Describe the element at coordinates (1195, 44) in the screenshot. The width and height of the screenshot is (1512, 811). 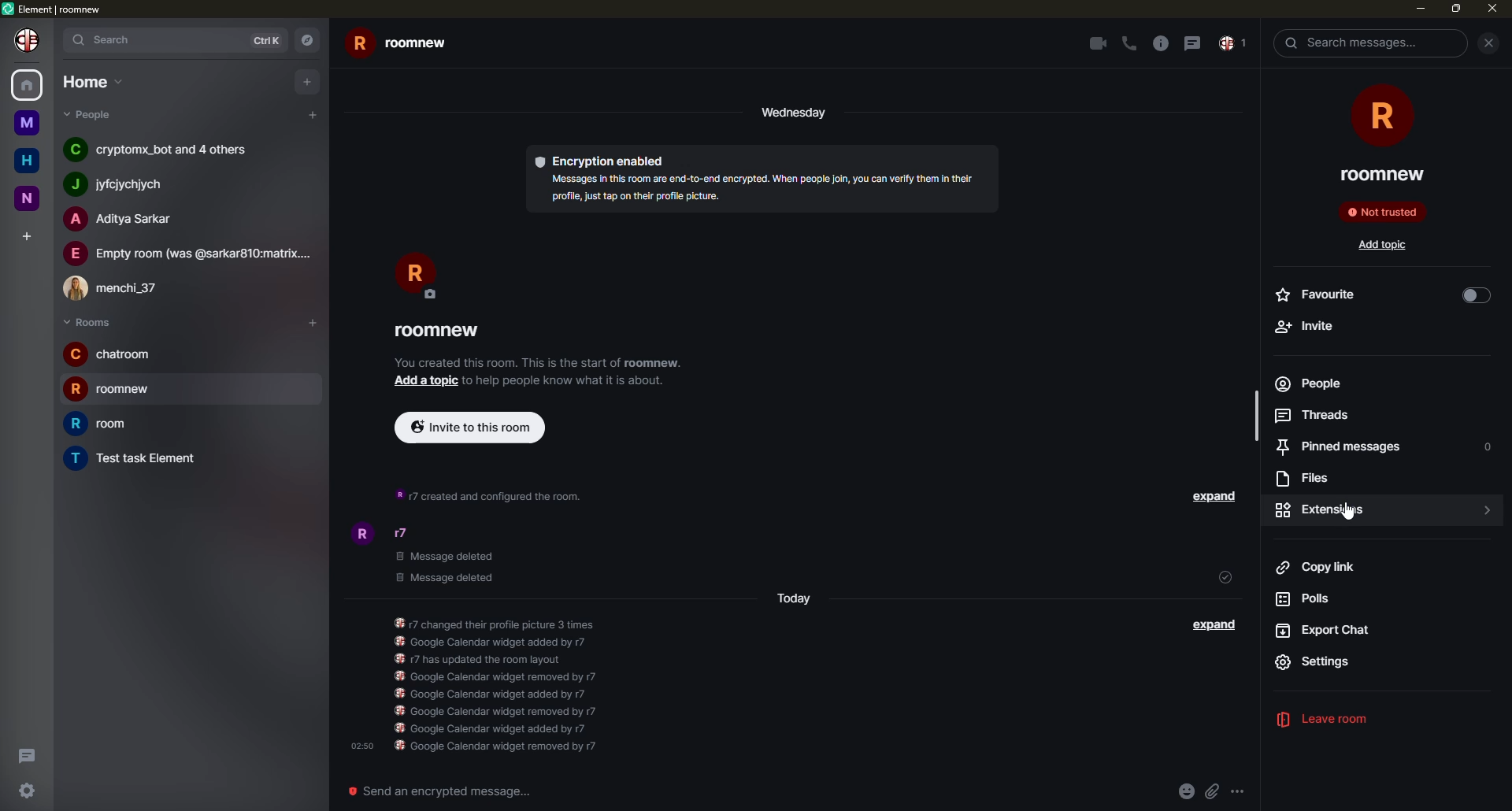
I see `message` at that location.